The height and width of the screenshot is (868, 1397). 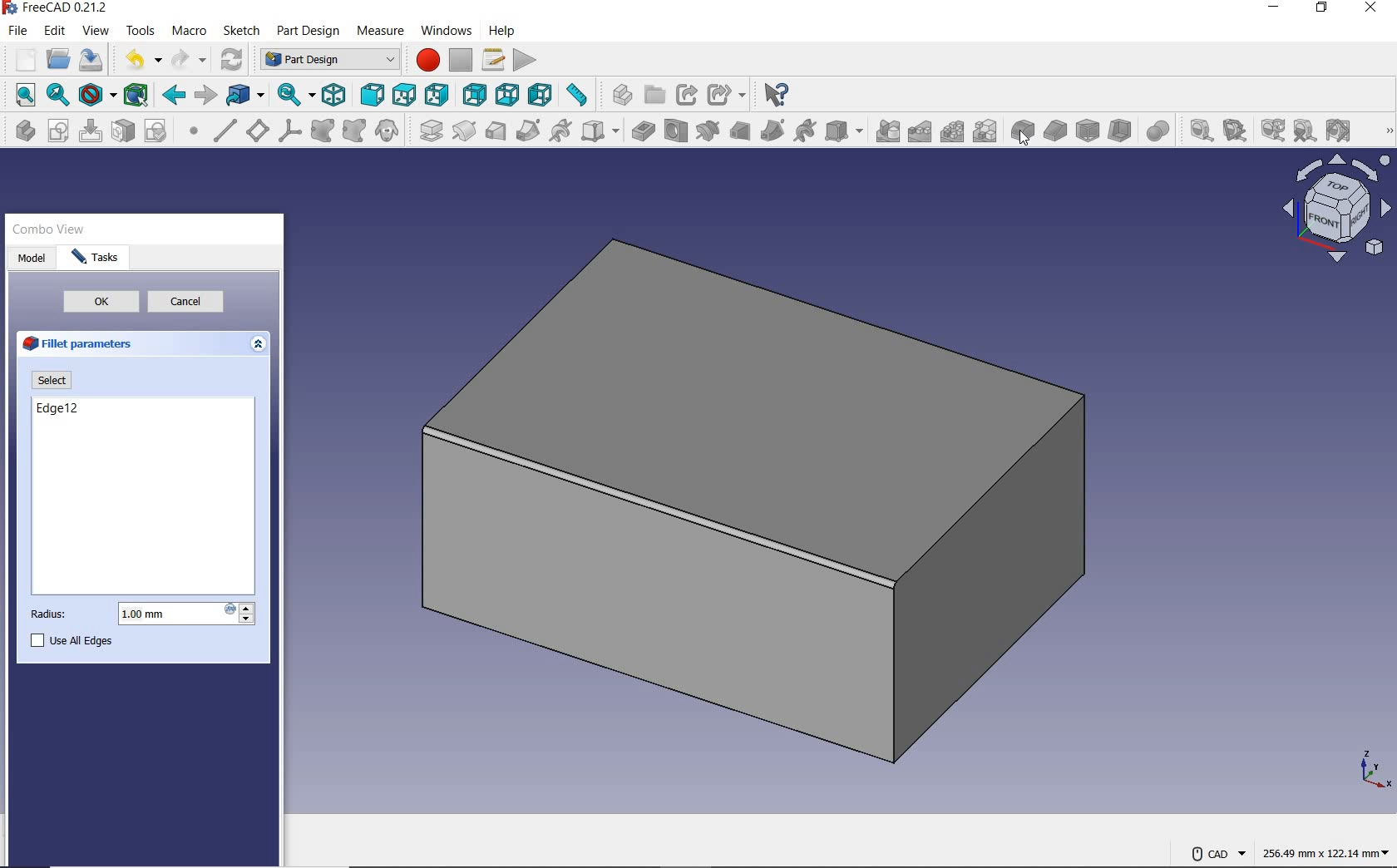 What do you see at coordinates (1269, 131) in the screenshot?
I see `refresh` at bounding box center [1269, 131].